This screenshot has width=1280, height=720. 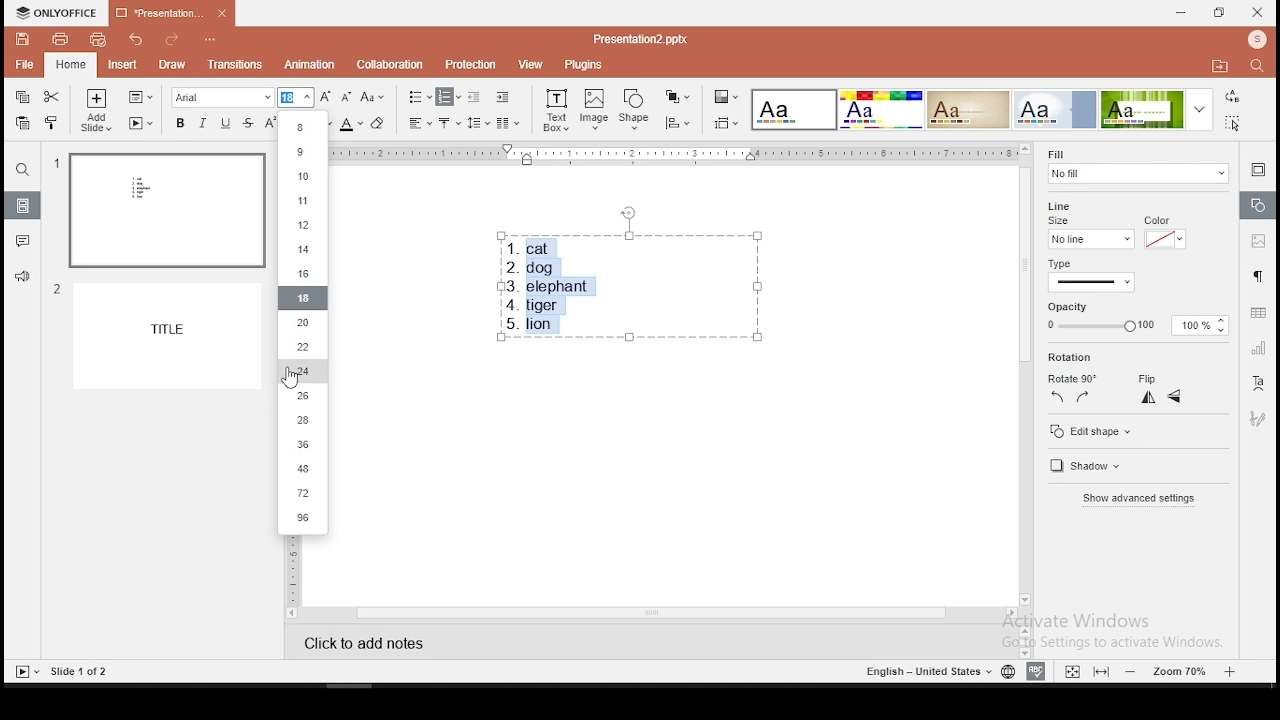 I want to click on decrease indent, so click(x=474, y=97).